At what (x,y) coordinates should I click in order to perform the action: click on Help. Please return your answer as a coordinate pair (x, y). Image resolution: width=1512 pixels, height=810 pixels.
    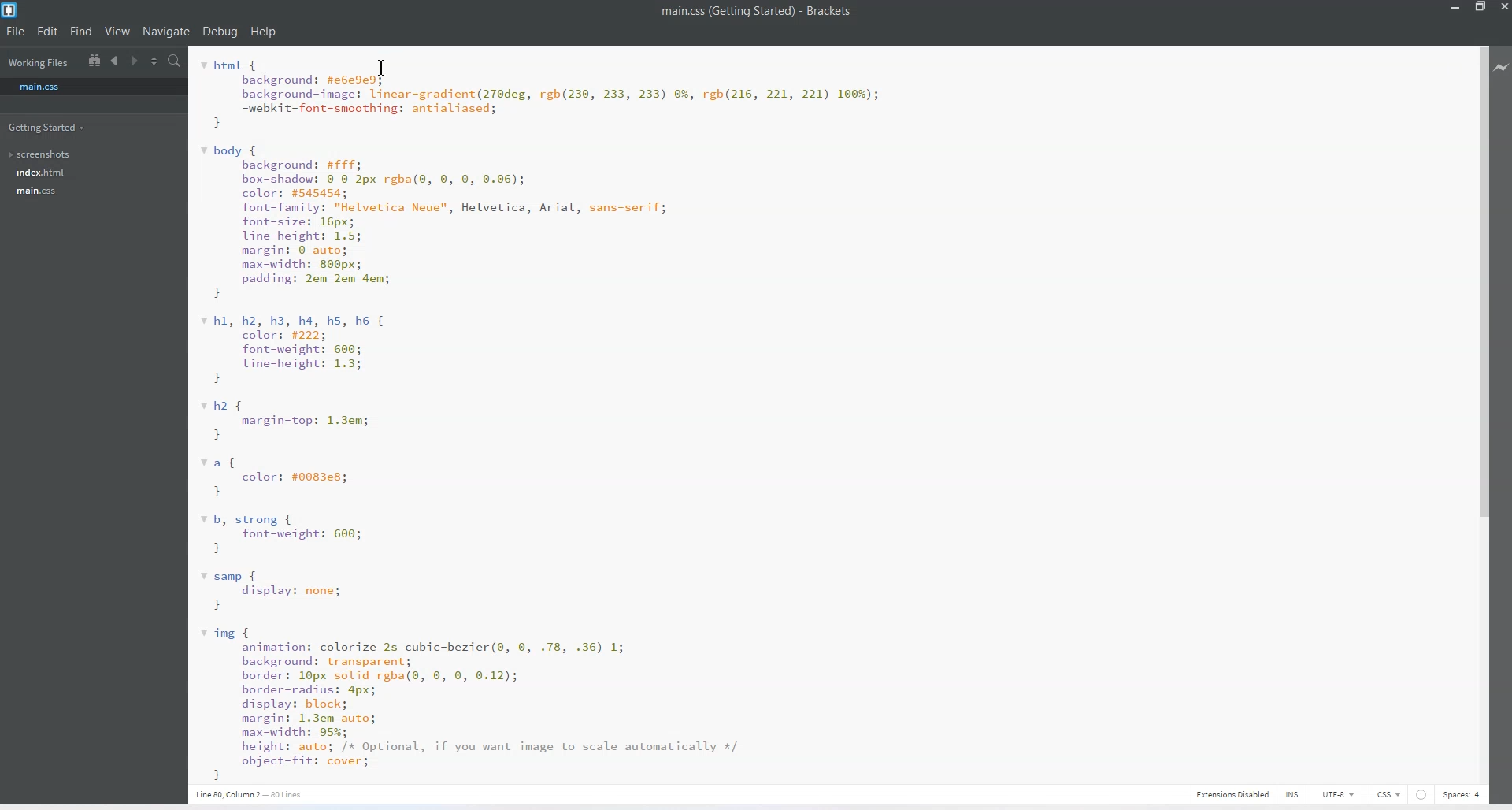
    Looking at the image, I should click on (263, 32).